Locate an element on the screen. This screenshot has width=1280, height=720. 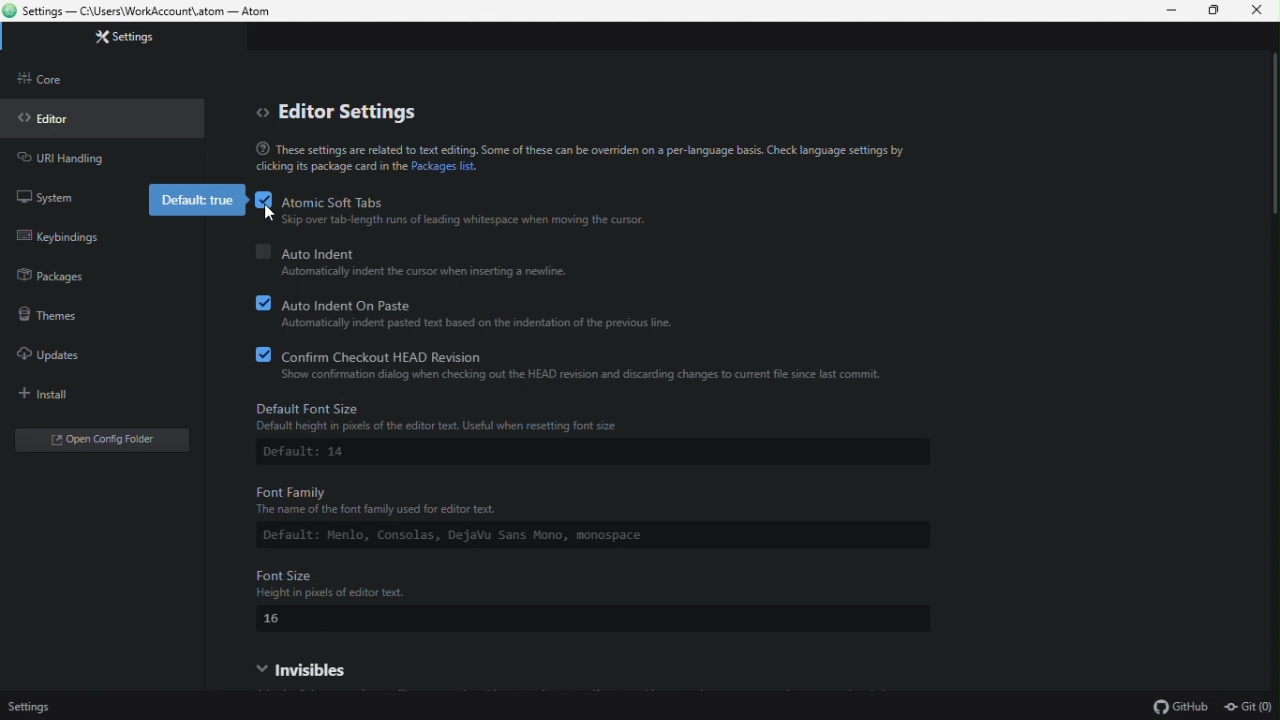
Default Font Size
Default height in pixels of the editor text. Useful when resetting font size is located at coordinates (444, 417).